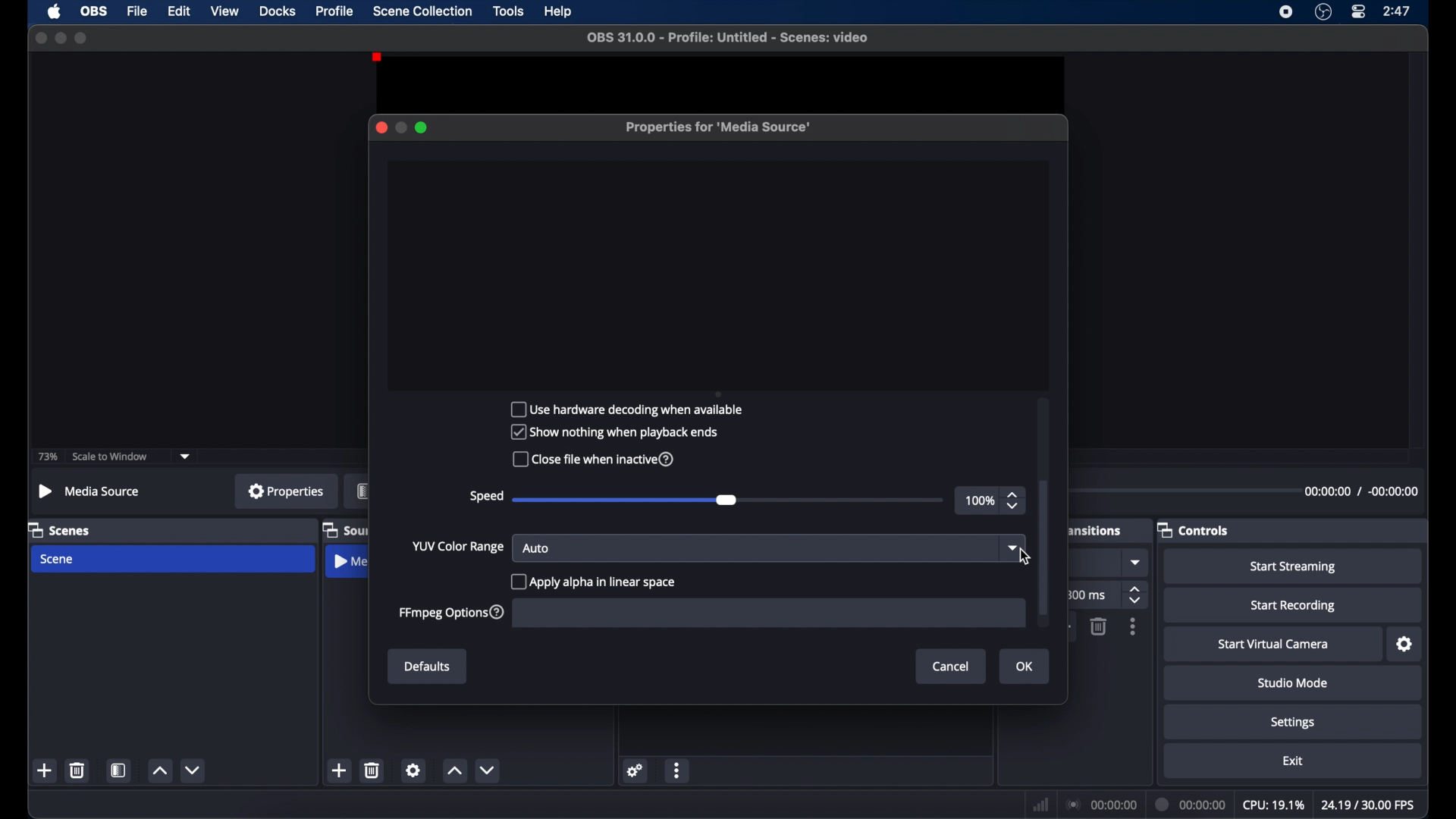 This screenshot has width=1456, height=819. I want to click on close, so click(40, 37).